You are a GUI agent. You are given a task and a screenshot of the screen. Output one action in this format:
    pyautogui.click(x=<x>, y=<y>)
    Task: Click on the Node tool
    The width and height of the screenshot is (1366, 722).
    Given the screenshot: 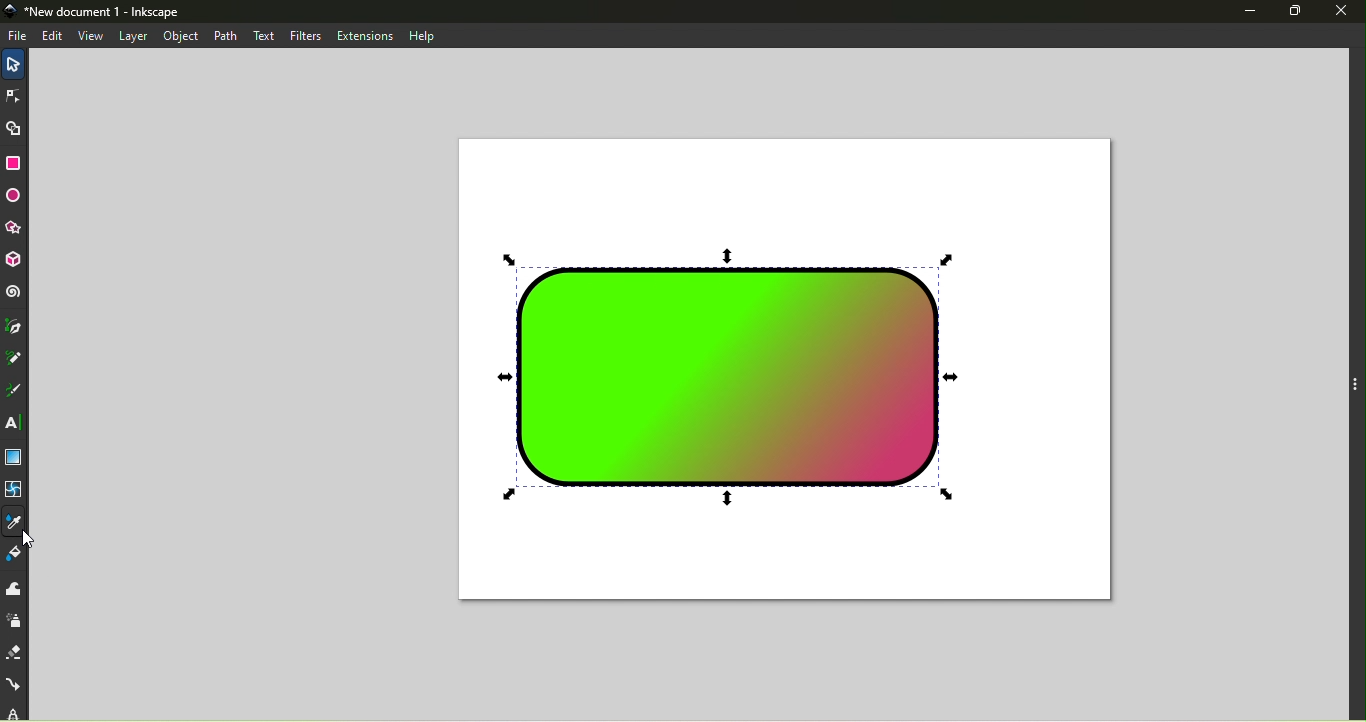 What is the action you would take?
    pyautogui.click(x=13, y=94)
    